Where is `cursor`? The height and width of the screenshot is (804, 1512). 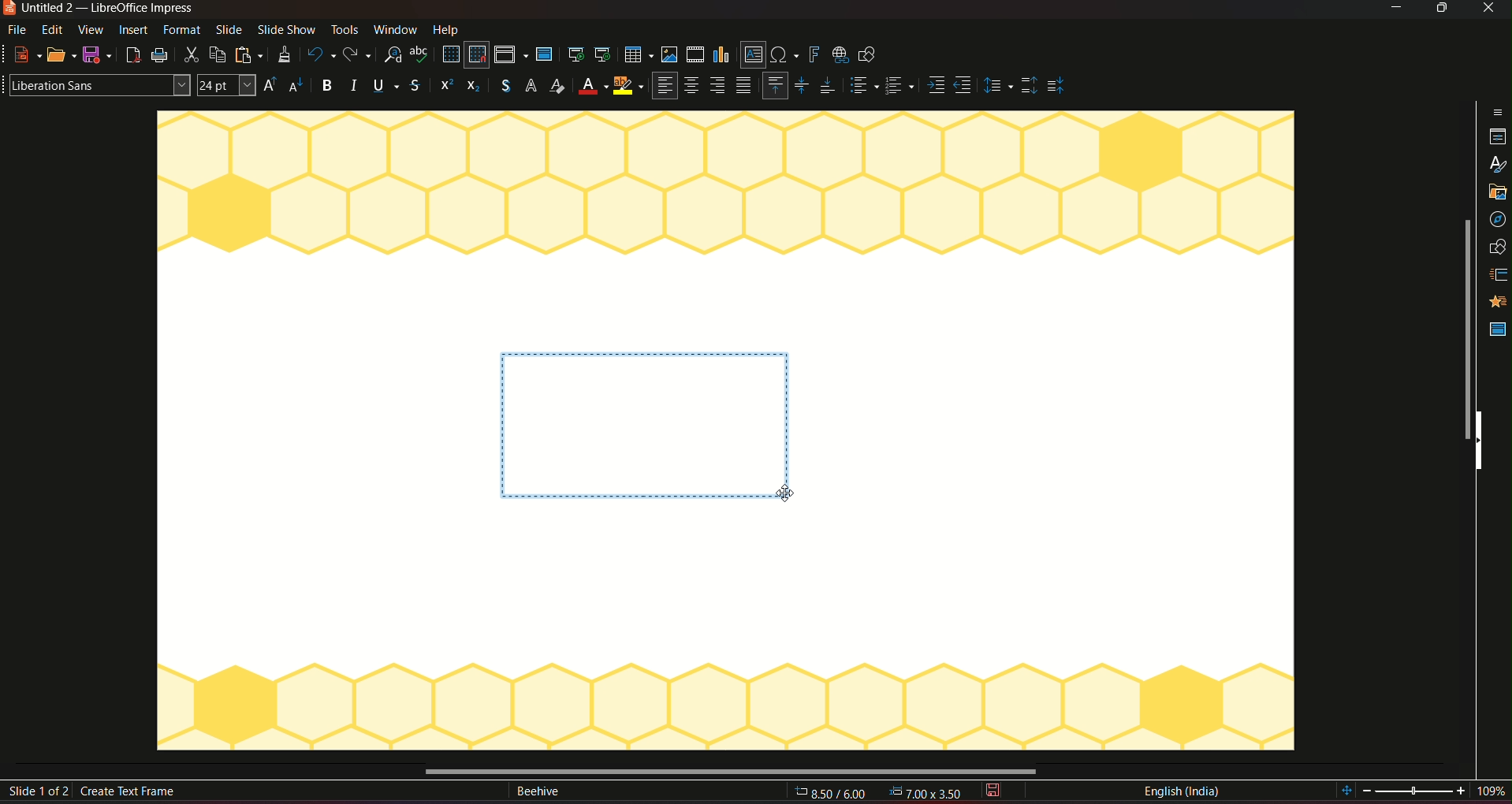 cursor is located at coordinates (788, 495).